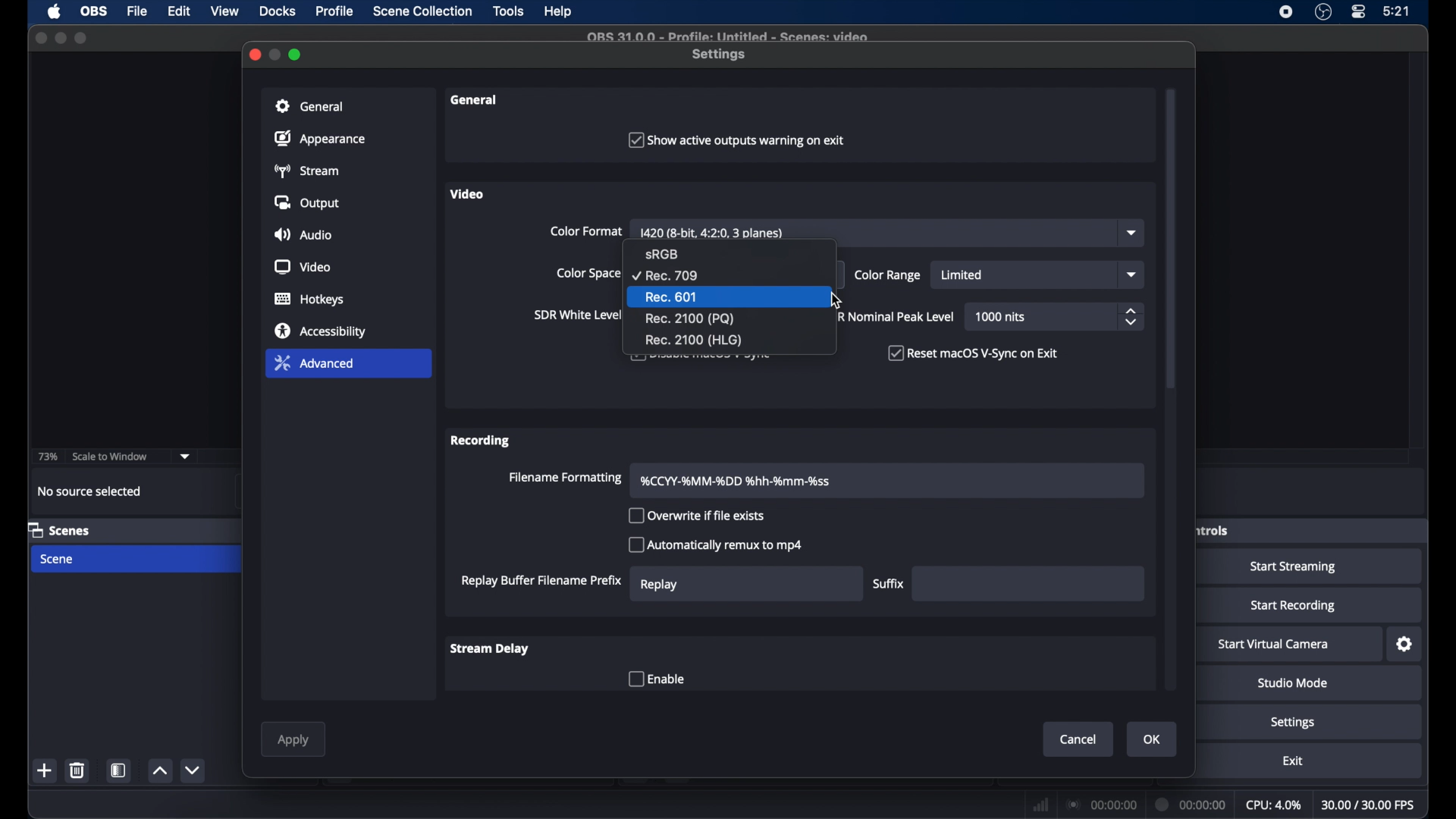 Image resolution: width=1456 pixels, height=819 pixels. Describe the element at coordinates (41, 36) in the screenshot. I see `close` at that location.